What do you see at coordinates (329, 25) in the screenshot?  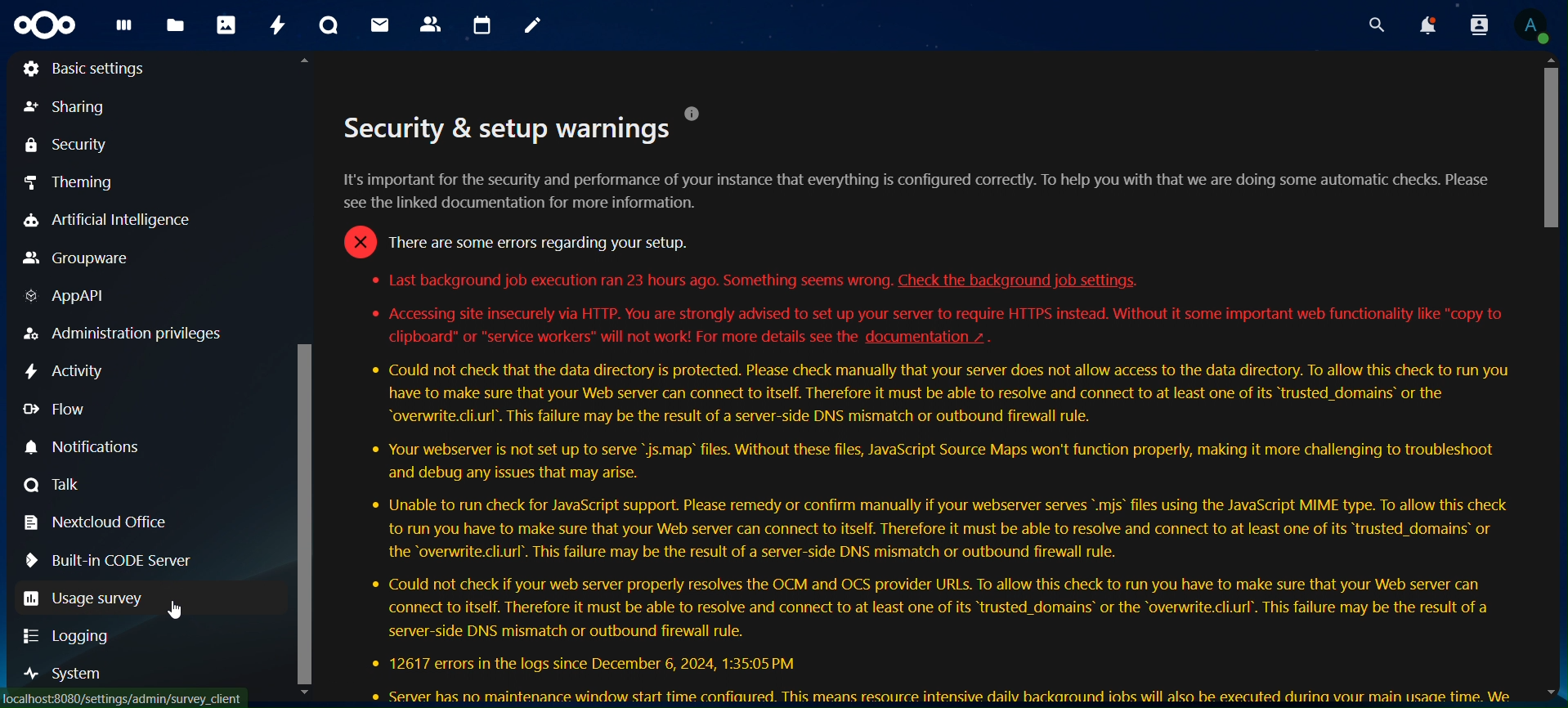 I see `talk` at bounding box center [329, 25].